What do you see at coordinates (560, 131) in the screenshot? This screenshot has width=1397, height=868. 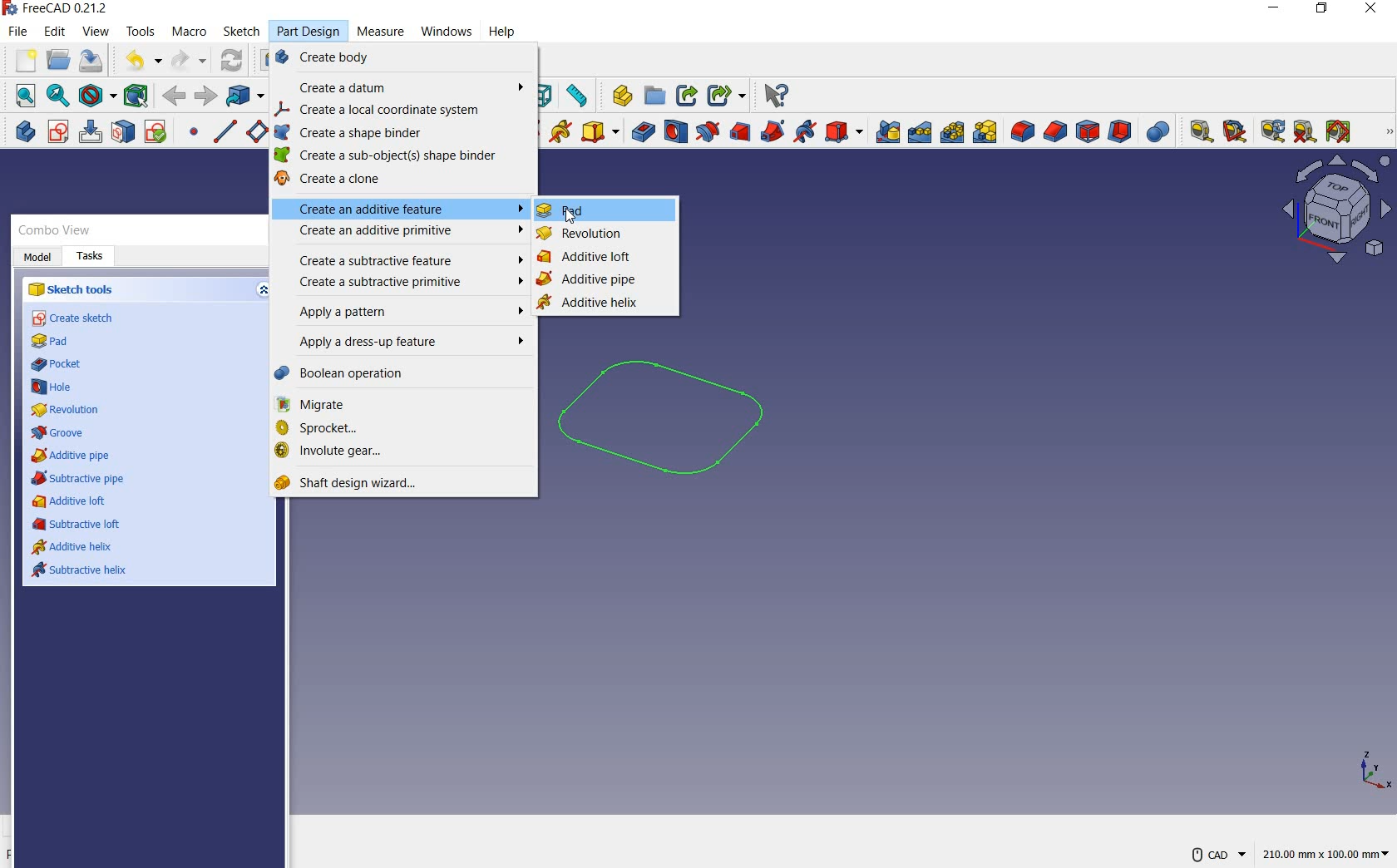 I see `additive helix` at bounding box center [560, 131].